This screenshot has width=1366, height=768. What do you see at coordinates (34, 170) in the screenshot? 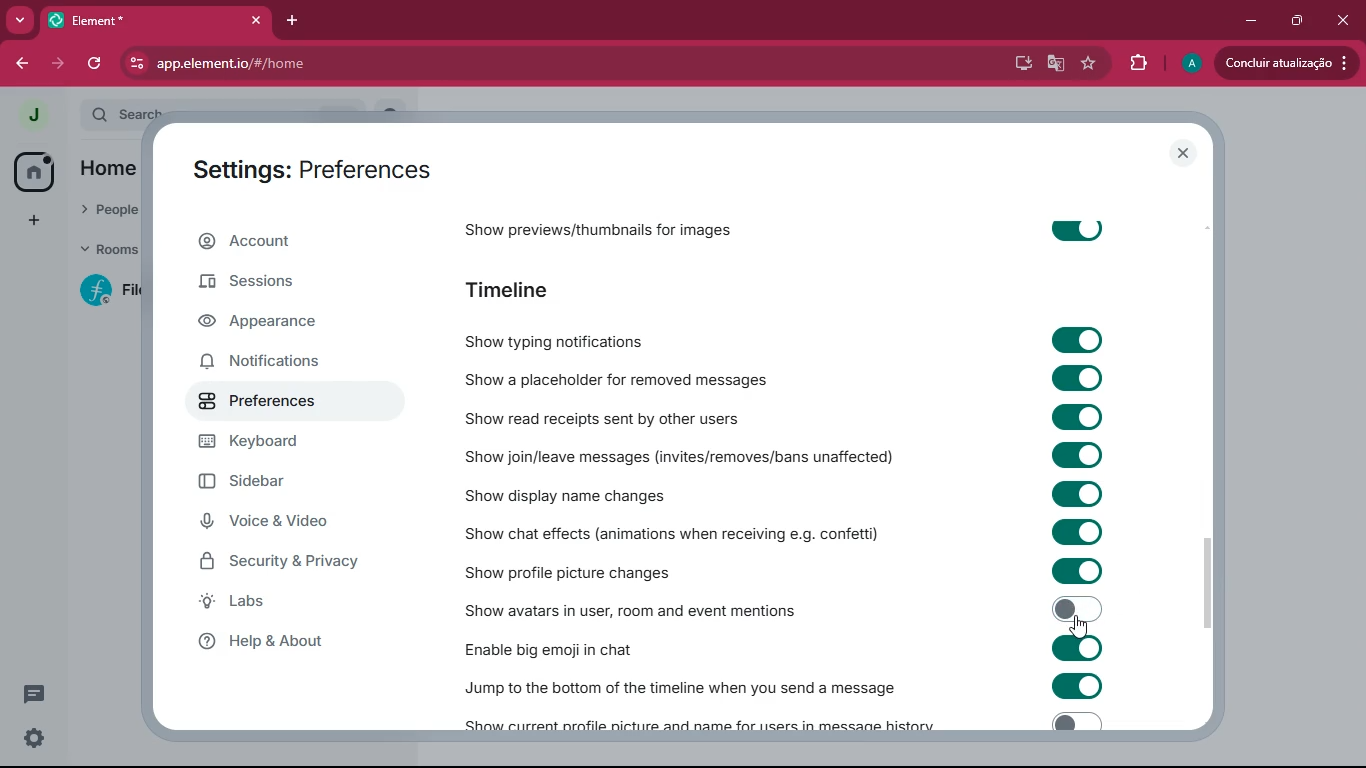
I see `home` at bounding box center [34, 170].